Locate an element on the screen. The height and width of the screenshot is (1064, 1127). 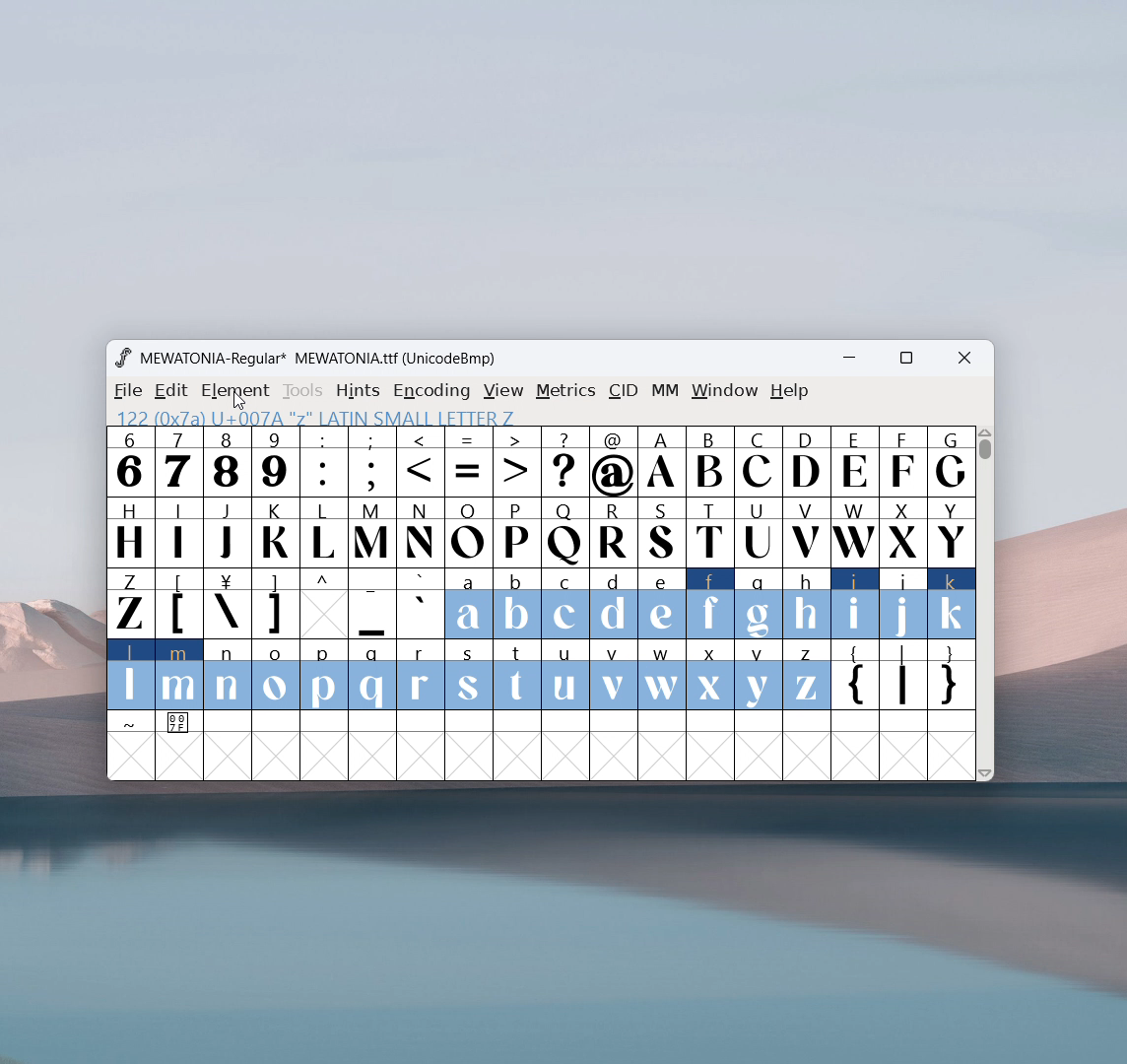
MM is located at coordinates (666, 392).